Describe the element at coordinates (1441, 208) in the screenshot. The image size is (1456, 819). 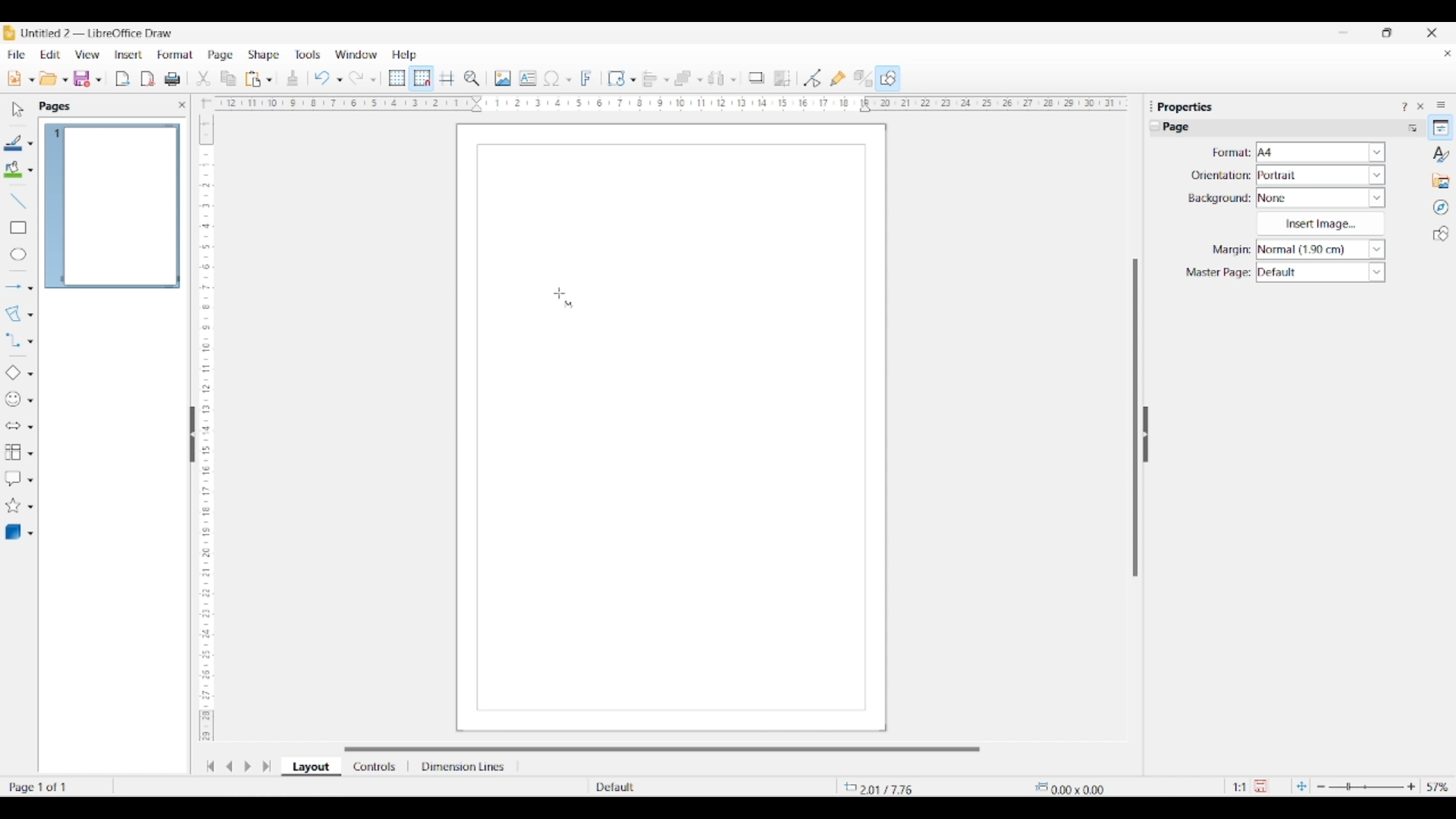
I see `Navigator` at that location.